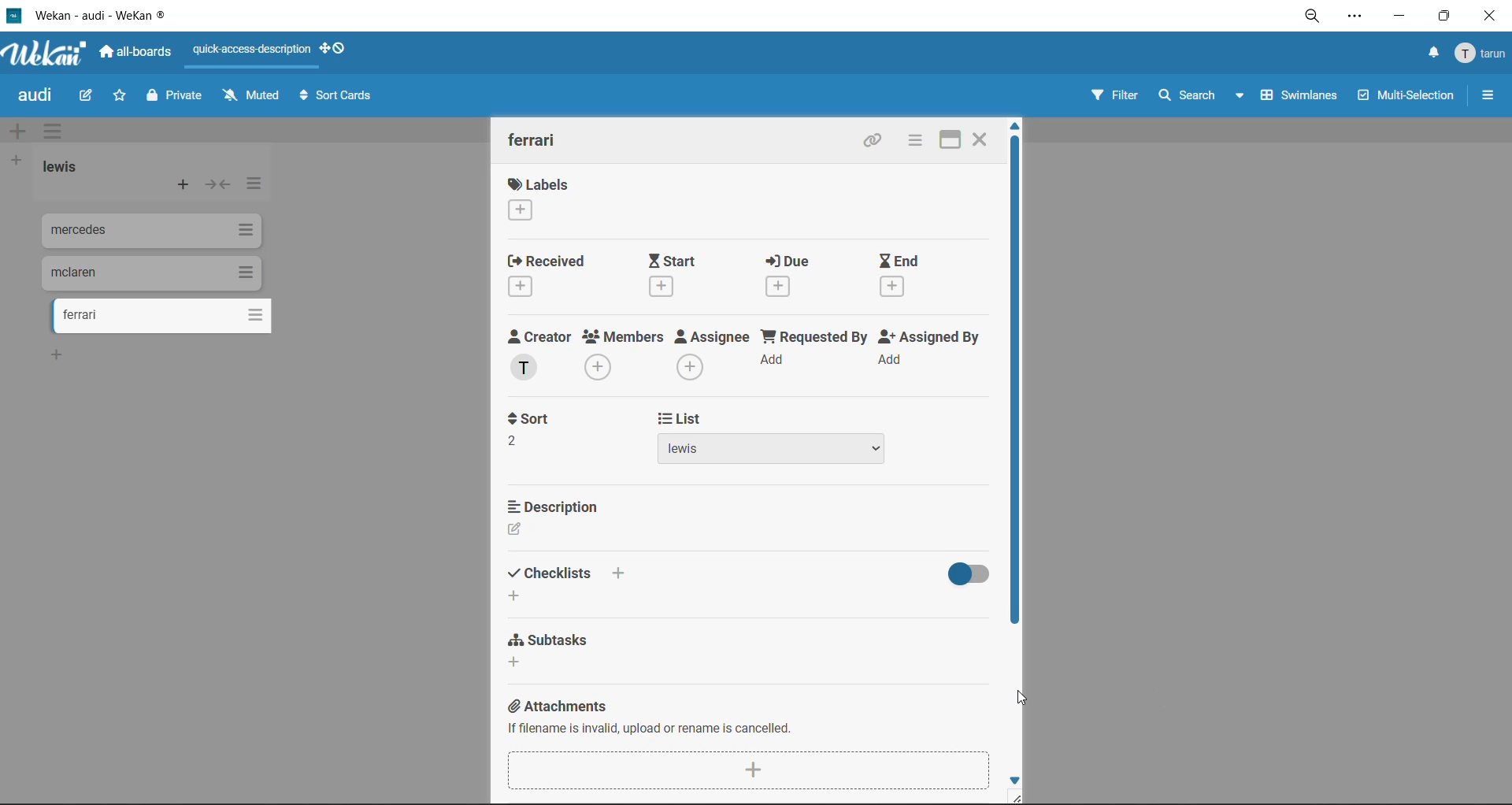  Describe the element at coordinates (90, 96) in the screenshot. I see `edit` at that location.